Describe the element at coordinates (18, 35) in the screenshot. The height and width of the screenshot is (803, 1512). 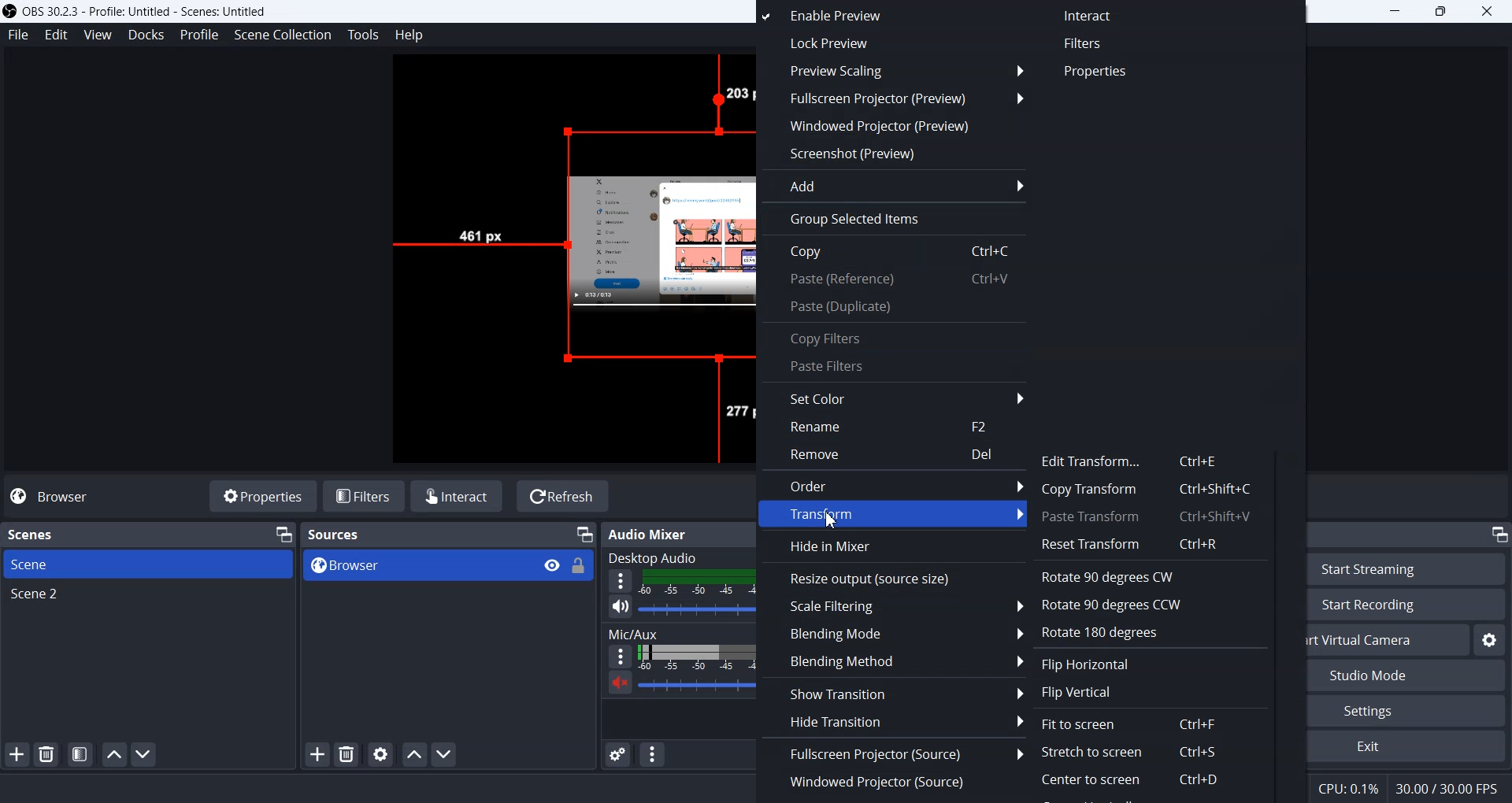
I see `File` at that location.